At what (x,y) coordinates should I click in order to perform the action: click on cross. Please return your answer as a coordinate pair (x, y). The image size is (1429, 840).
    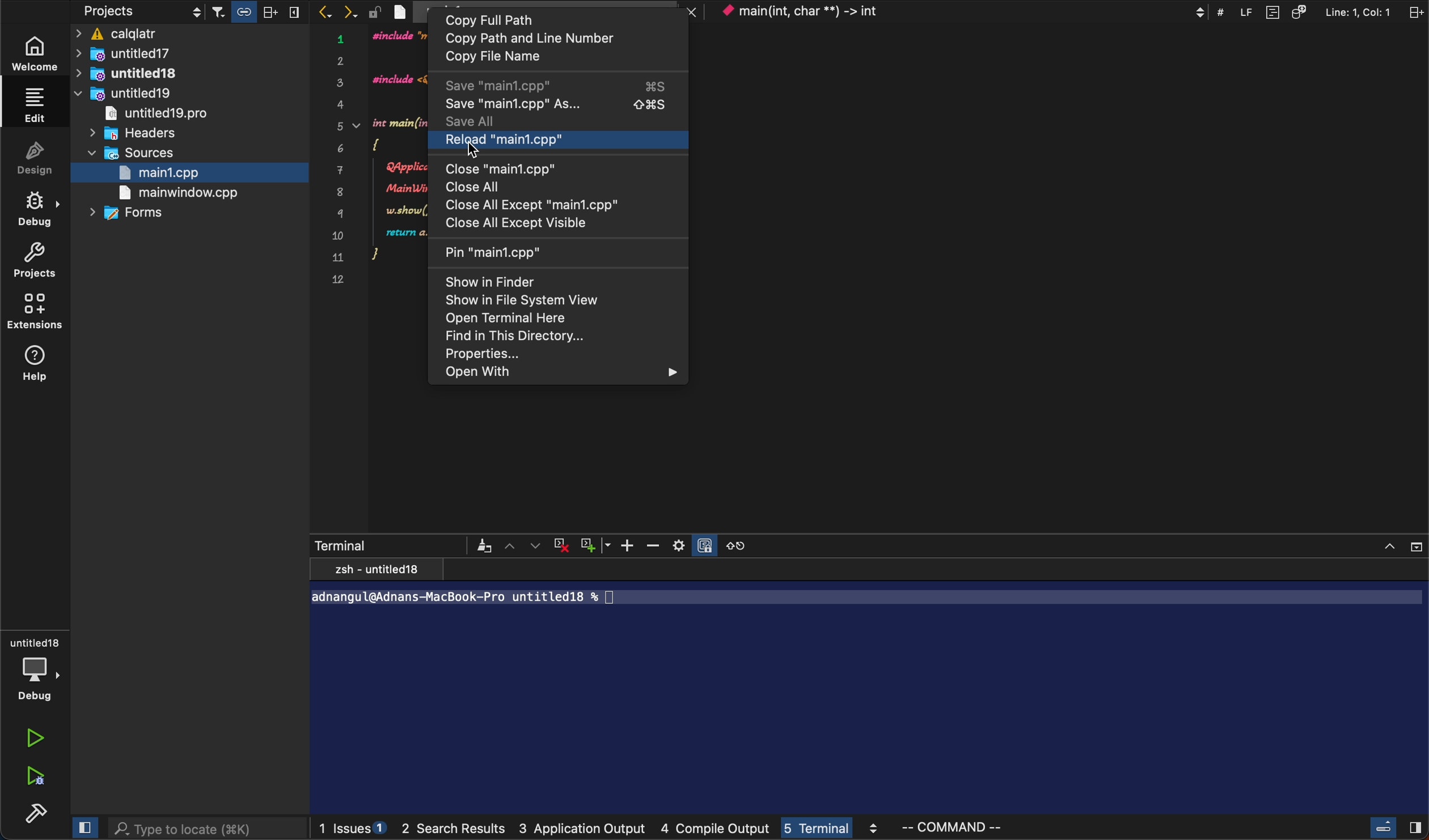
    Looking at the image, I should click on (562, 546).